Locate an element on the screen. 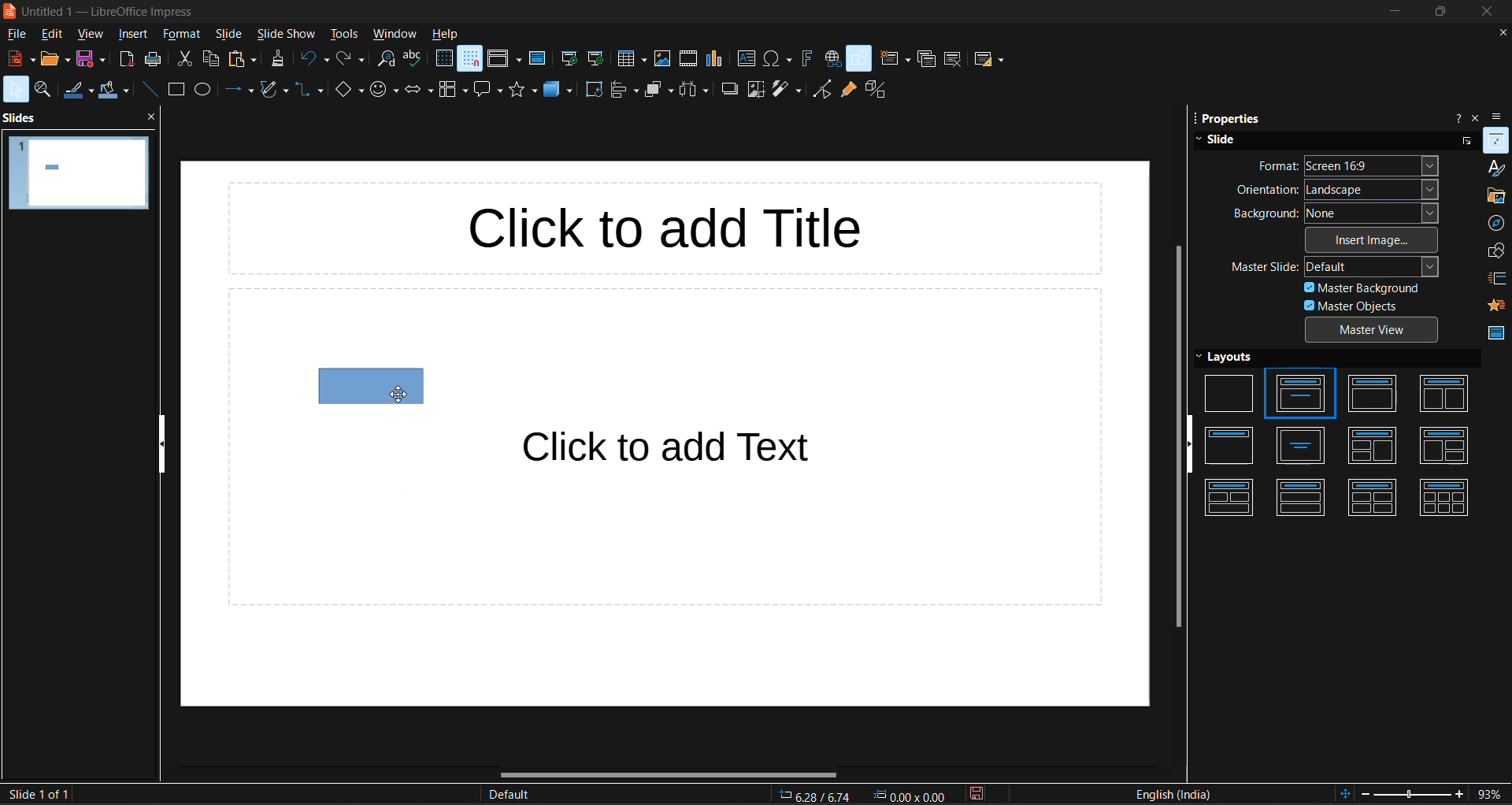 The width and height of the screenshot is (1512, 805). sidebar settings is located at coordinates (1502, 114).